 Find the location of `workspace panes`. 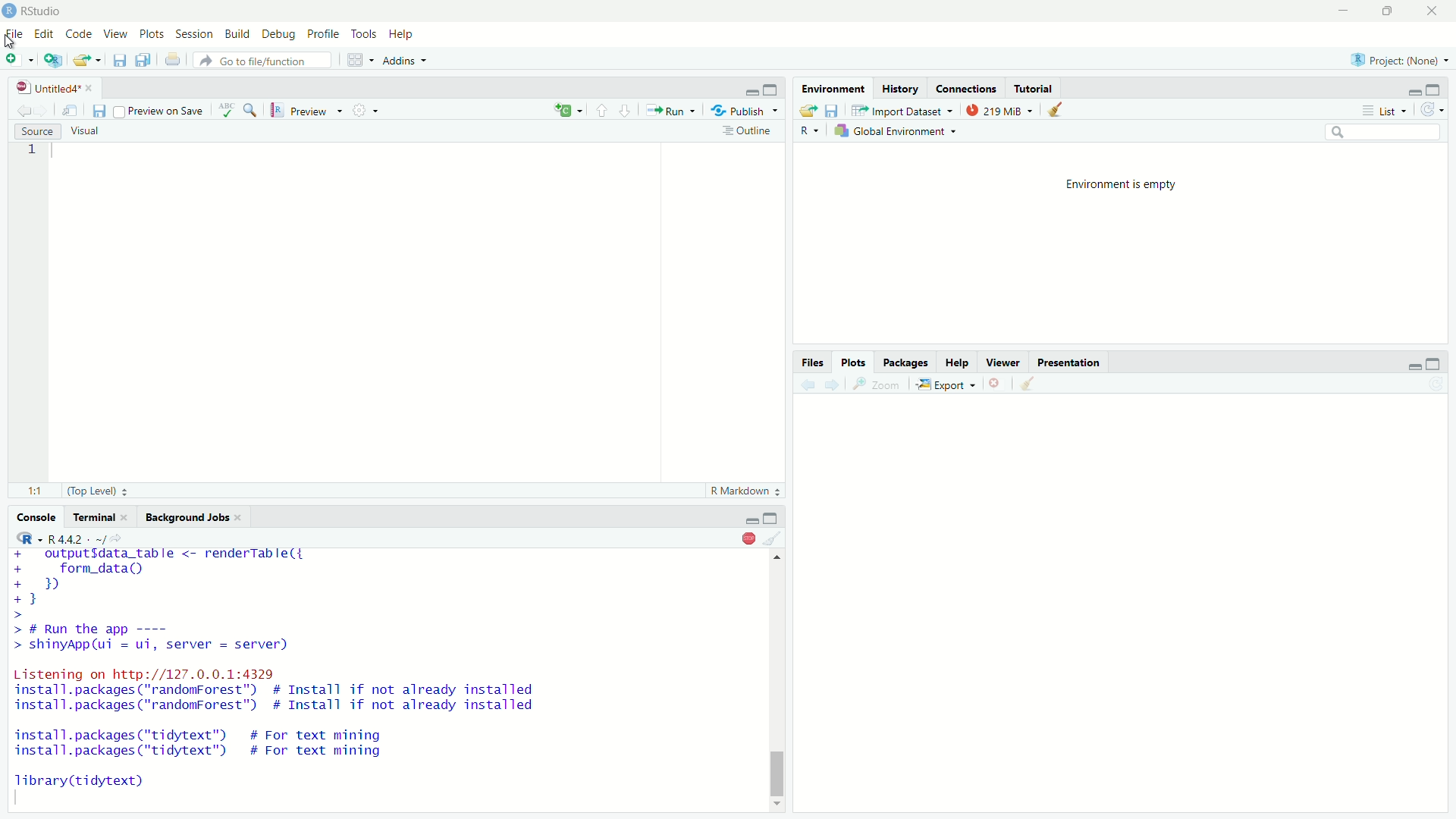

workspace panes is located at coordinates (360, 60).